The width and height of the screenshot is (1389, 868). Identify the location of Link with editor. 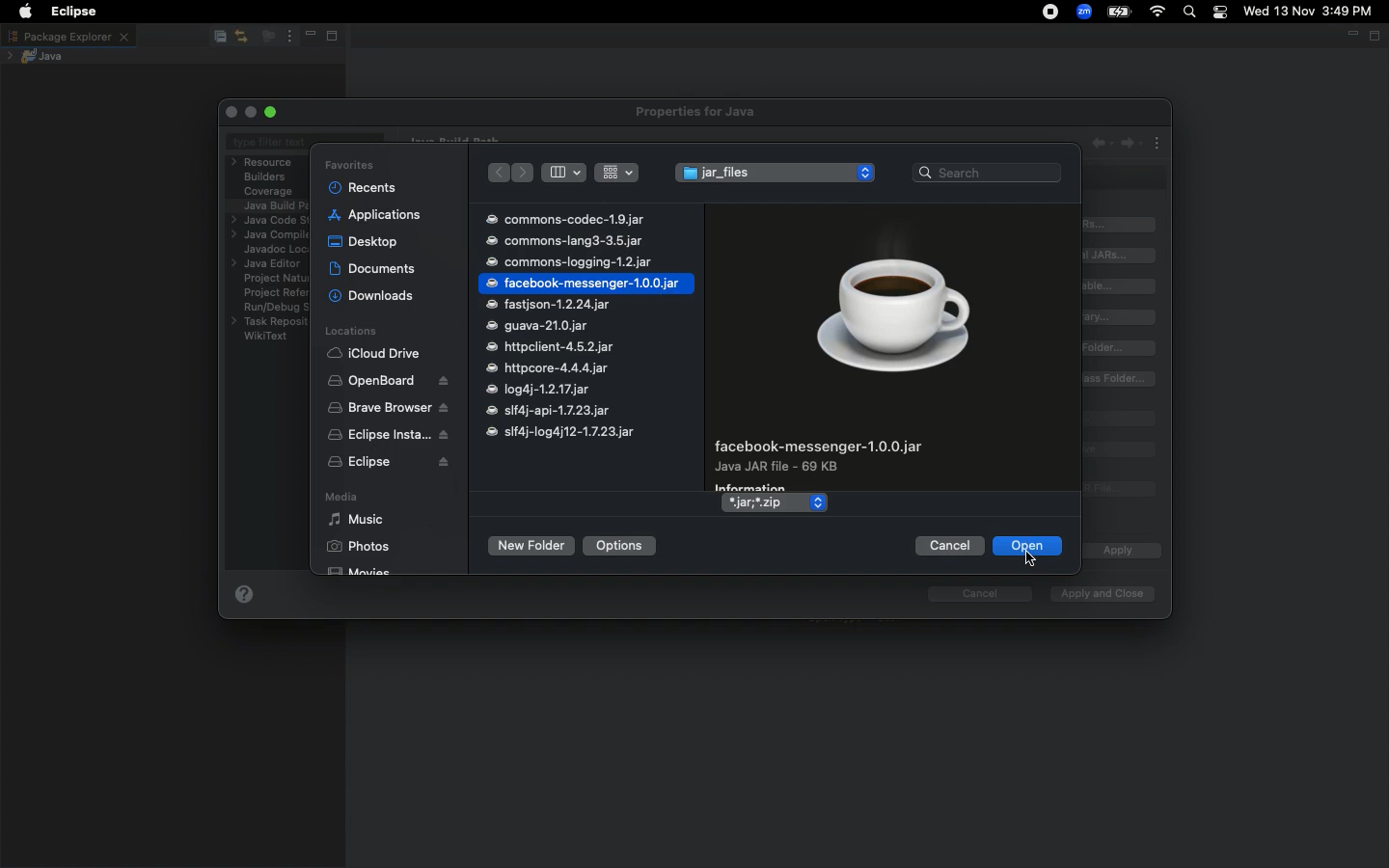
(242, 36).